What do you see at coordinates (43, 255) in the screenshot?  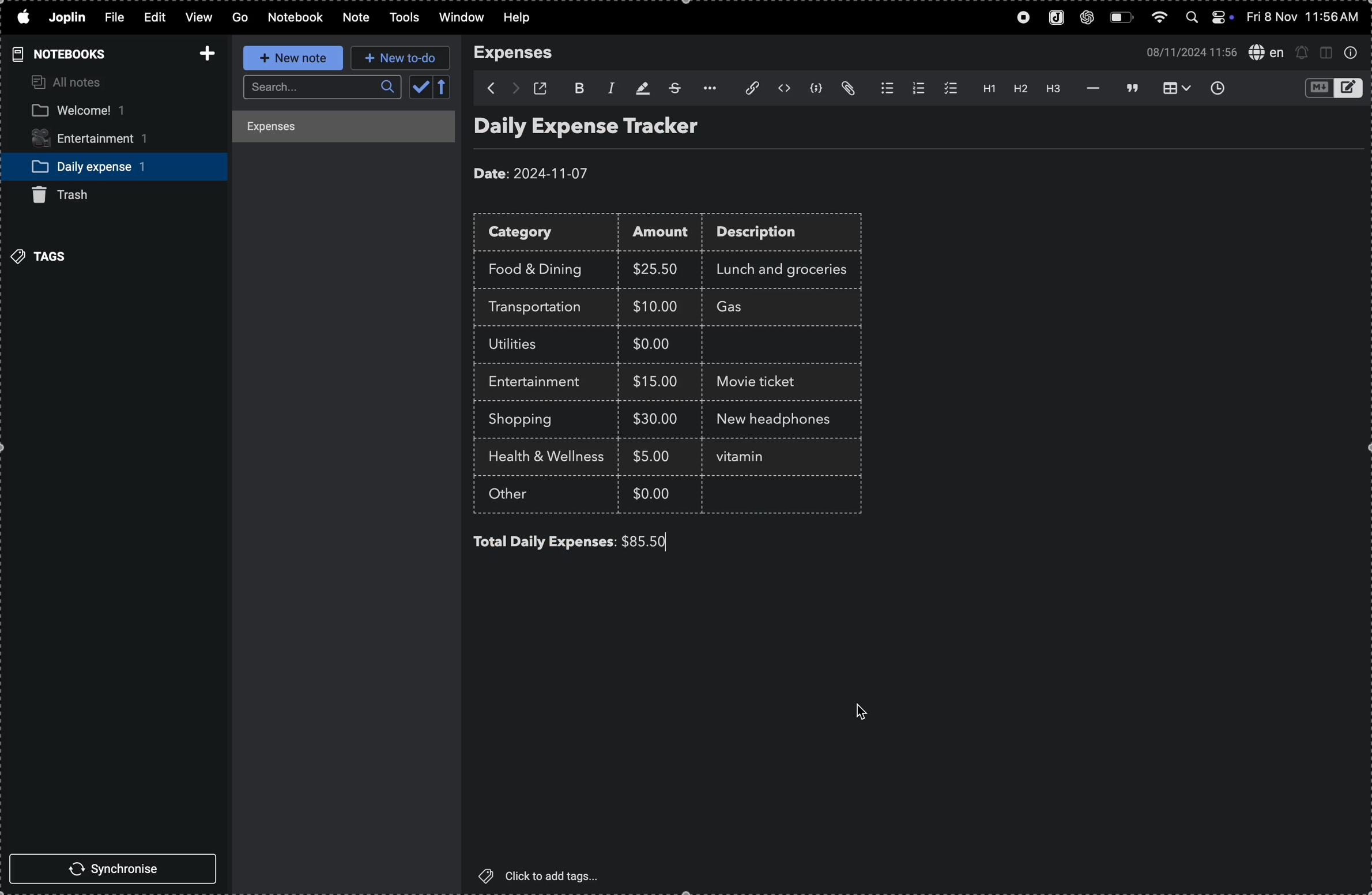 I see `tags` at bounding box center [43, 255].